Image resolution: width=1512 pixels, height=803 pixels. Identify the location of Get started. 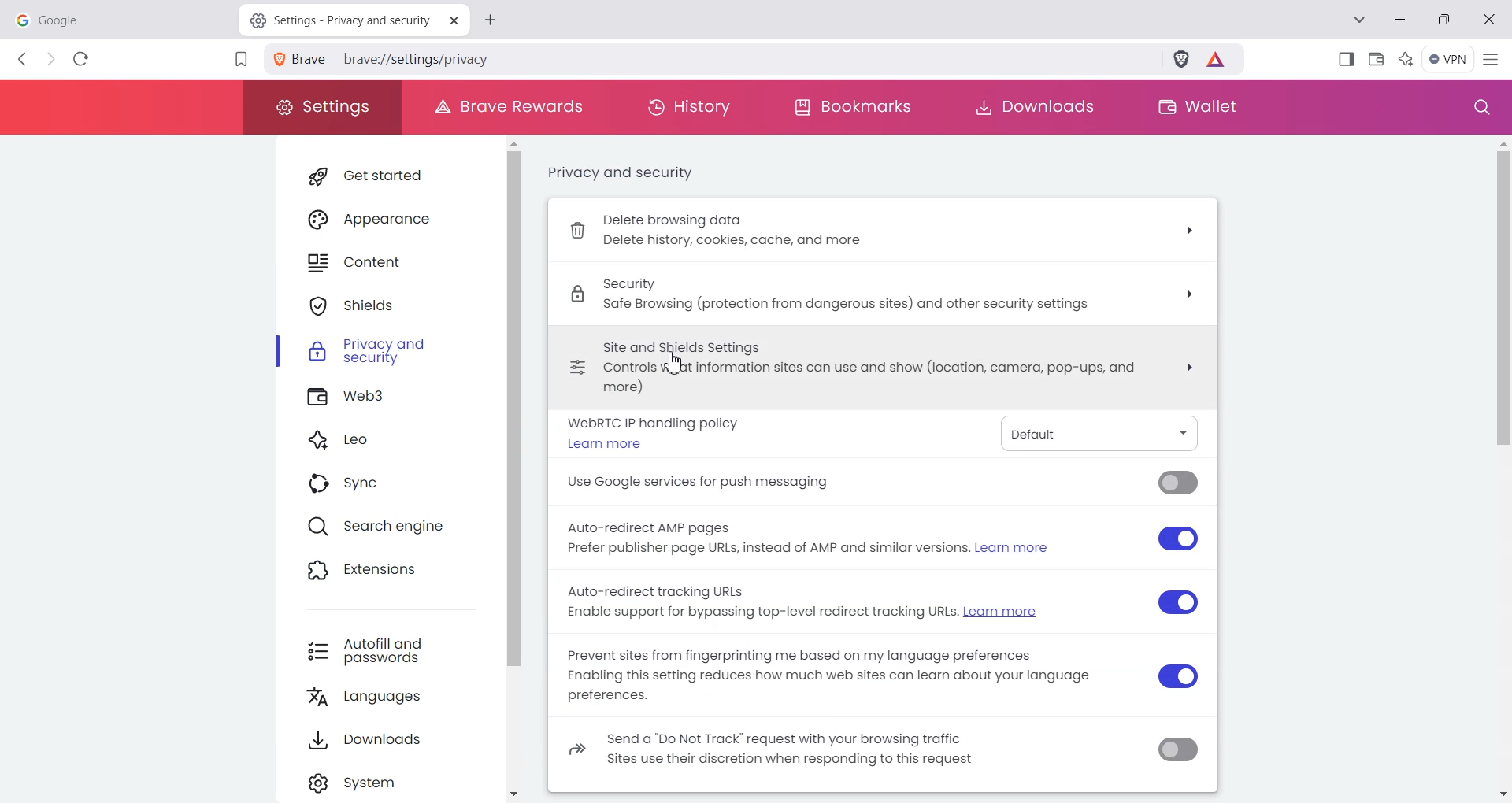
(387, 176).